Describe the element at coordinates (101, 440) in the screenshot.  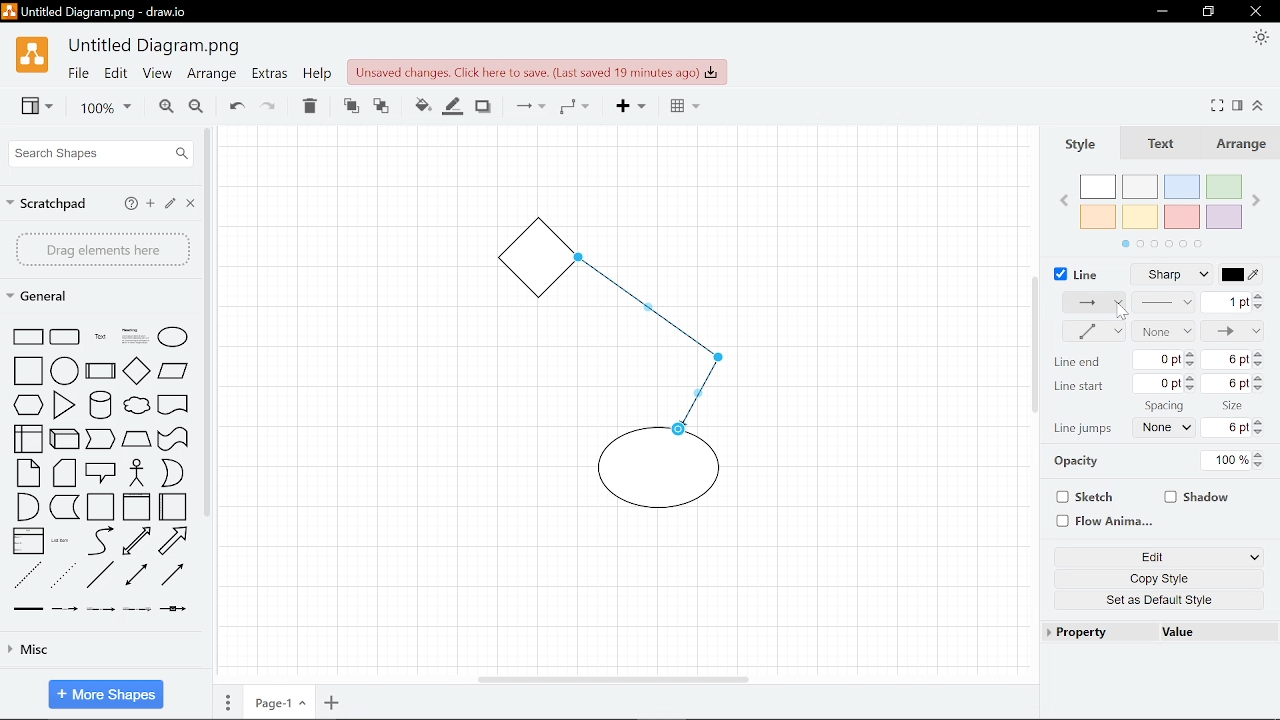
I see `shape` at that location.